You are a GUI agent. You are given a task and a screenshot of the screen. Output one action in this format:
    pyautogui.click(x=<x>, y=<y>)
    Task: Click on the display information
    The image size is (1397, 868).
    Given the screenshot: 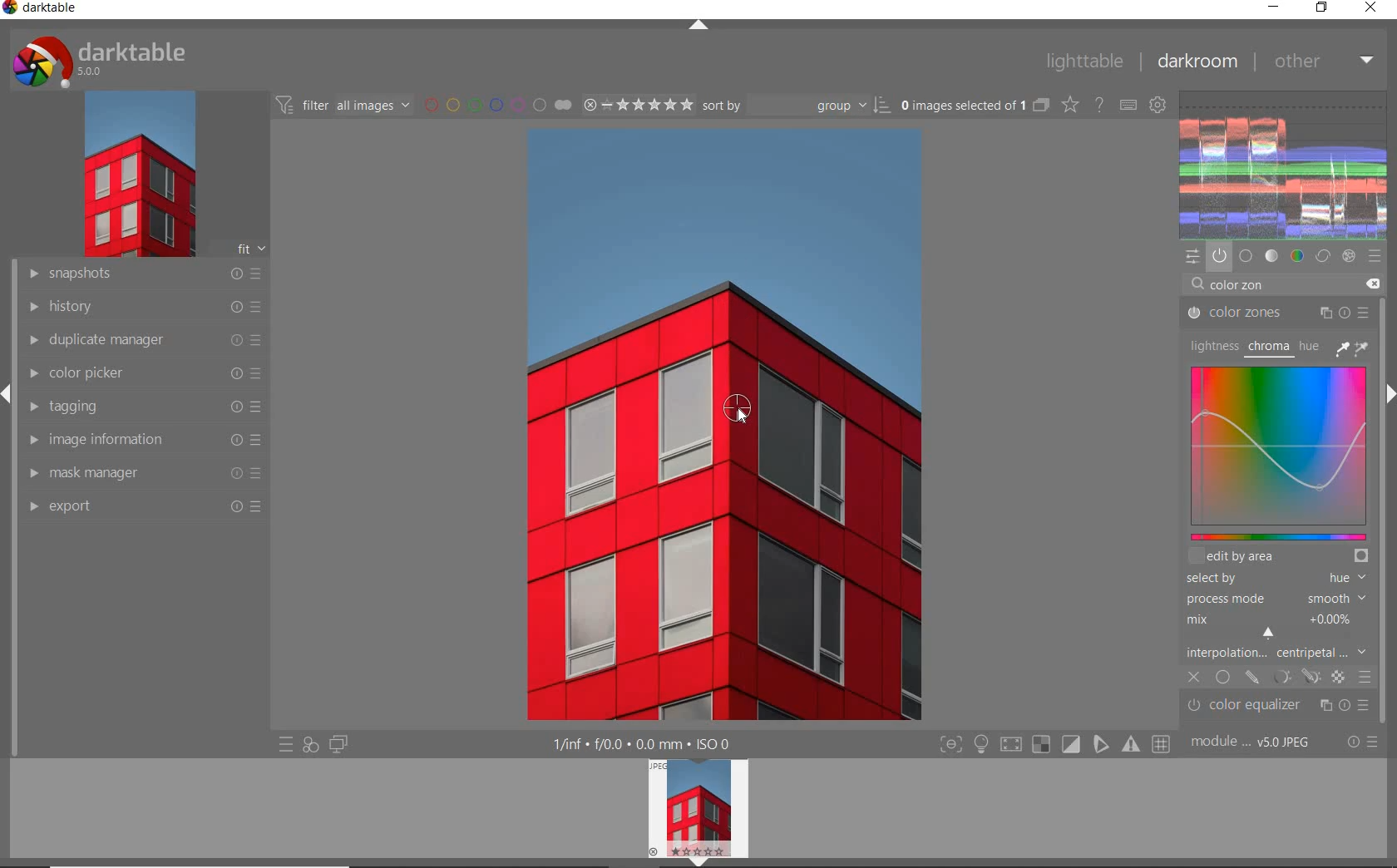 What is the action you would take?
    pyautogui.click(x=643, y=744)
    